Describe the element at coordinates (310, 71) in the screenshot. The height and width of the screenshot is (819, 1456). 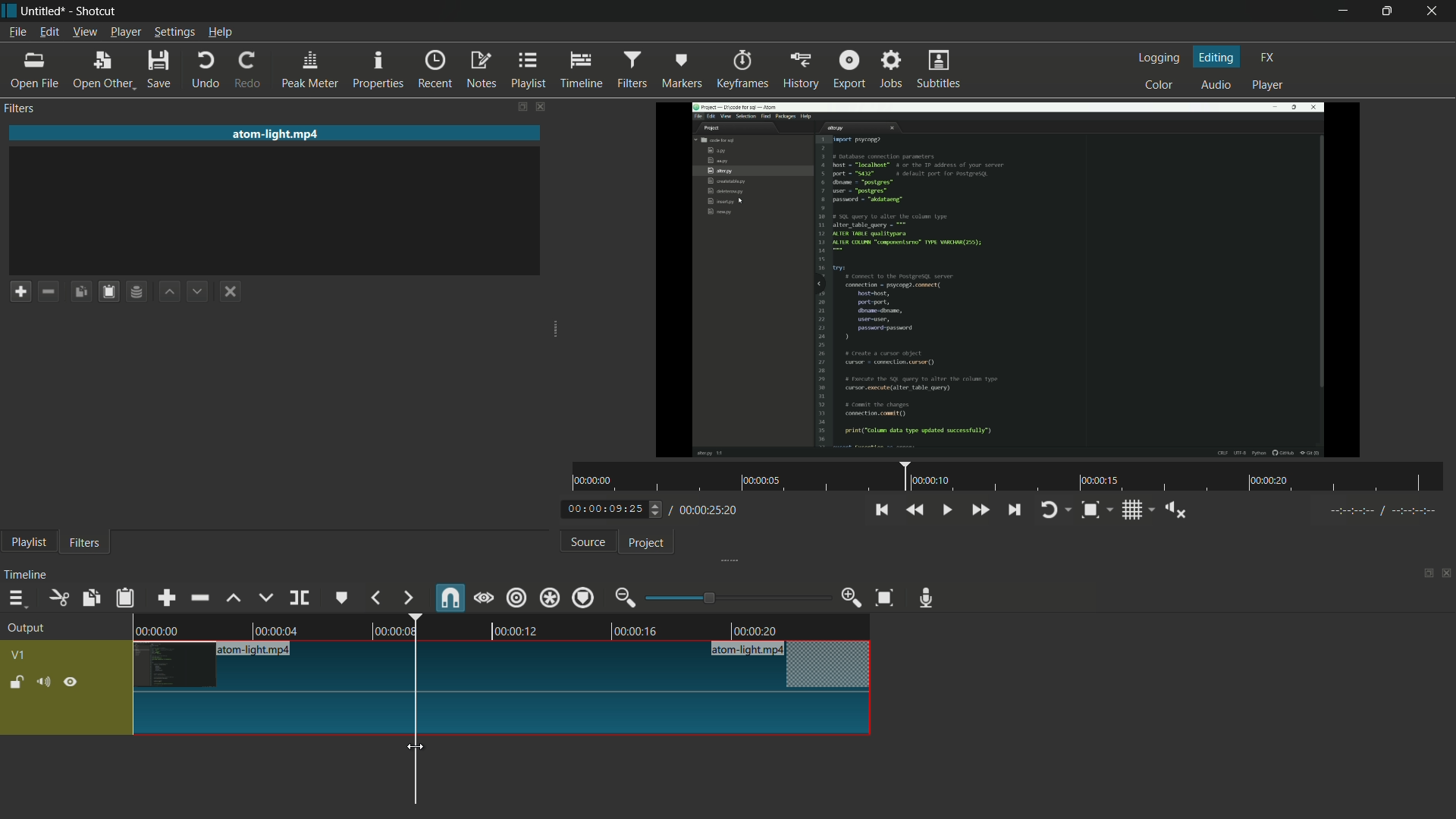
I see `peak meter` at that location.